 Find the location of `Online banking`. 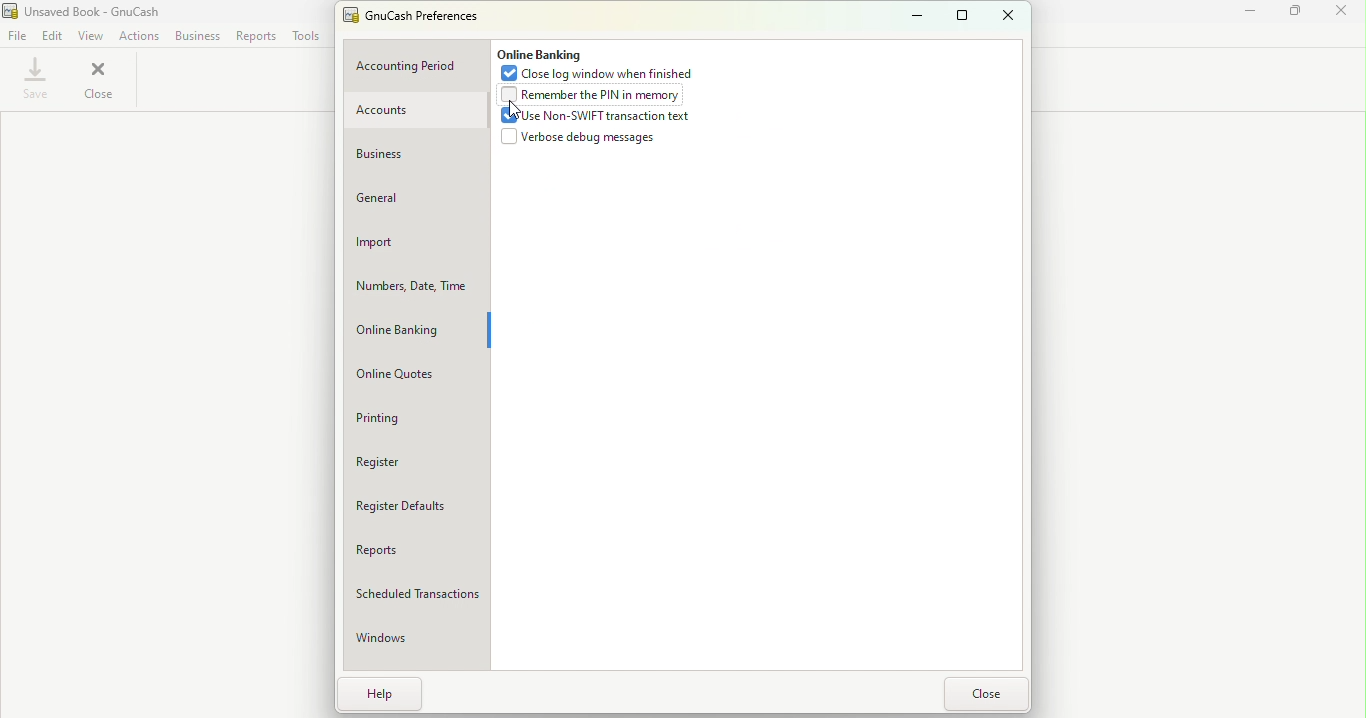

Online banking is located at coordinates (540, 55).